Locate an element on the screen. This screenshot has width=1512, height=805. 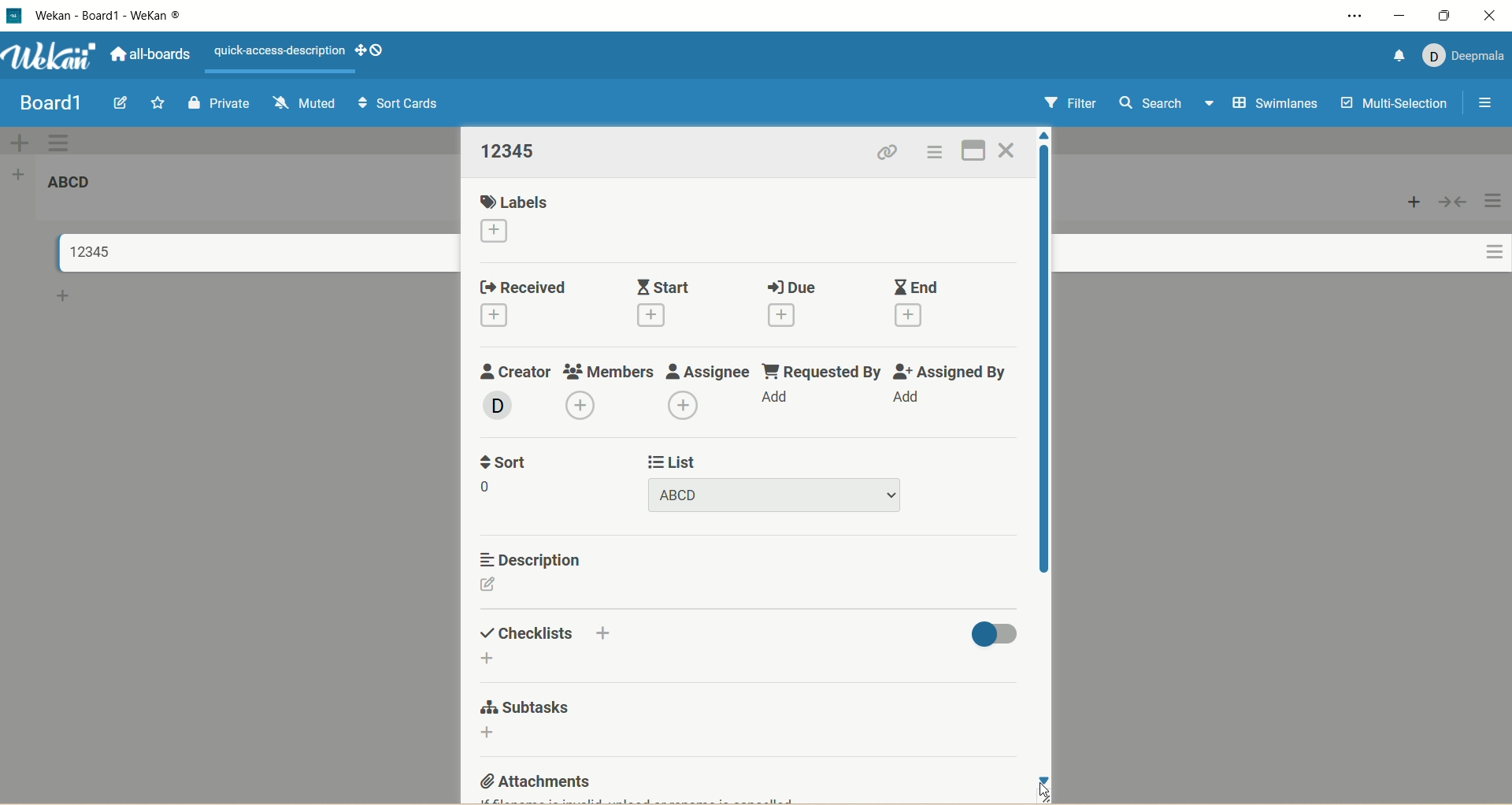
requested by is located at coordinates (820, 369).